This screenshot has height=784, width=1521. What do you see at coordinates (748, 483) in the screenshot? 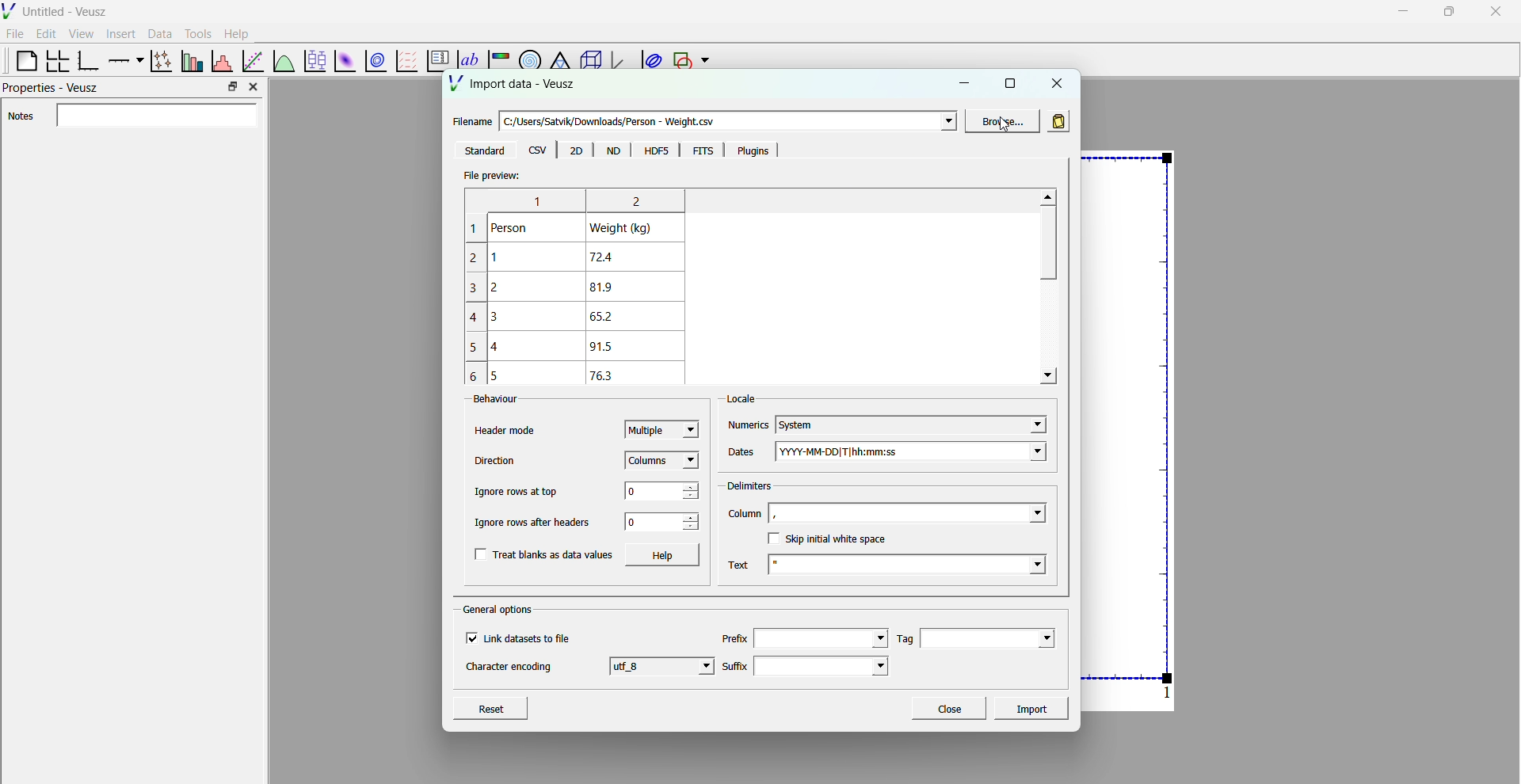
I see `delimiters` at bounding box center [748, 483].